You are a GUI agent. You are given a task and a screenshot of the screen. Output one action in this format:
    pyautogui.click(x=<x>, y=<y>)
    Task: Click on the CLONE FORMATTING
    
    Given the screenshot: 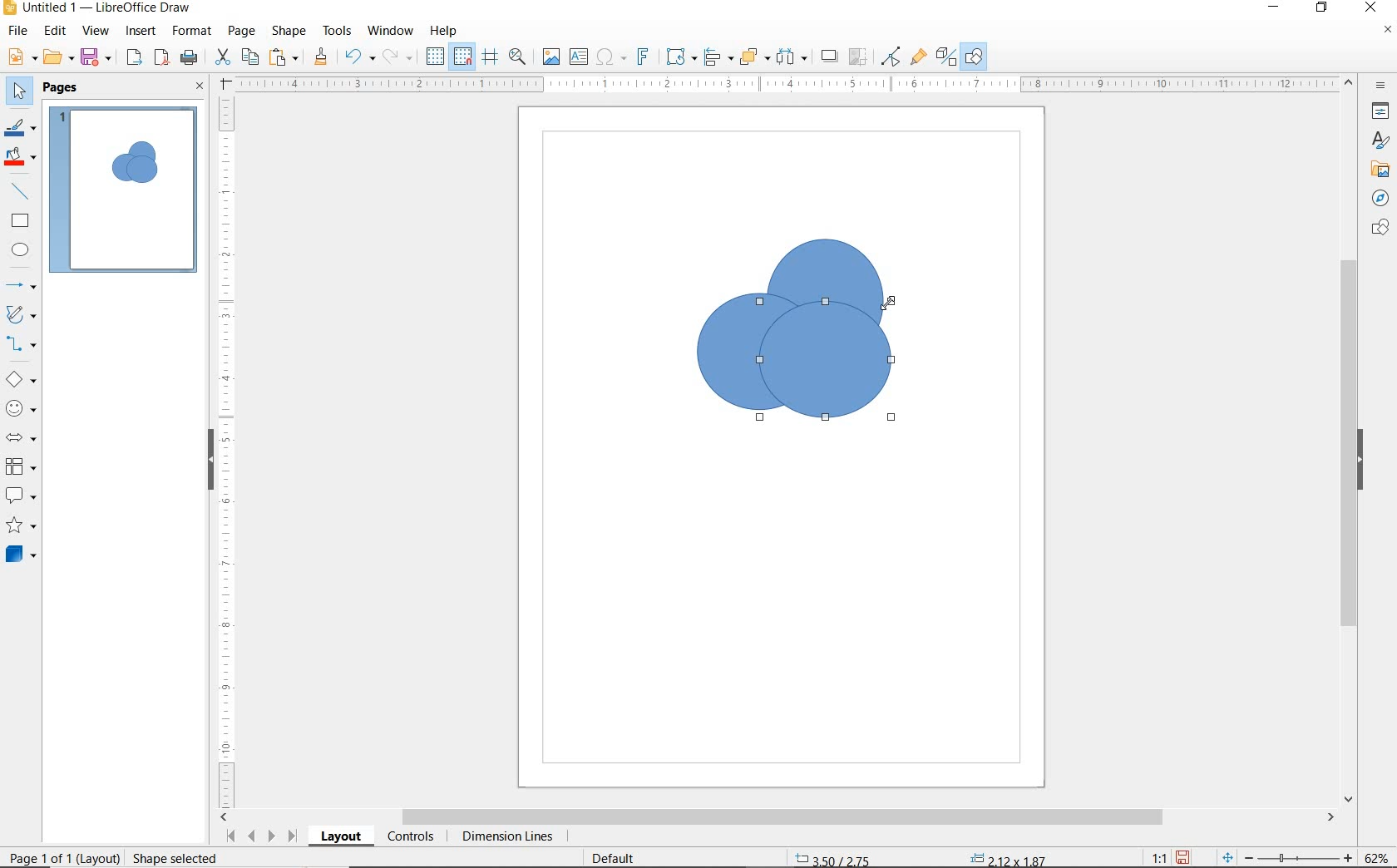 What is the action you would take?
    pyautogui.click(x=320, y=57)
    